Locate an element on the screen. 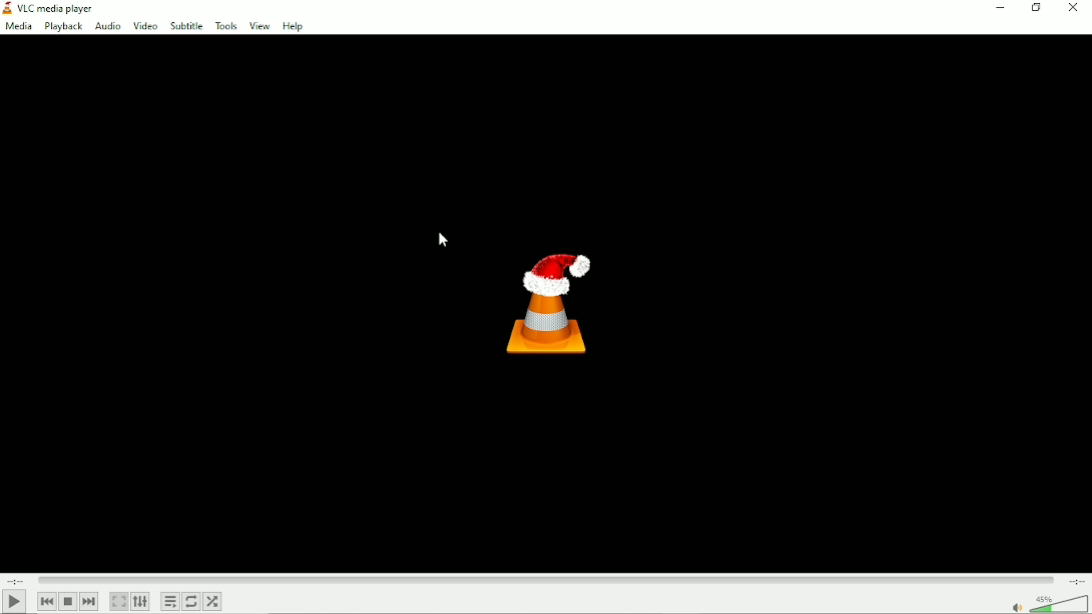 This screenshot has height=614, width=1092. Media is located at coordinates (18, 26).